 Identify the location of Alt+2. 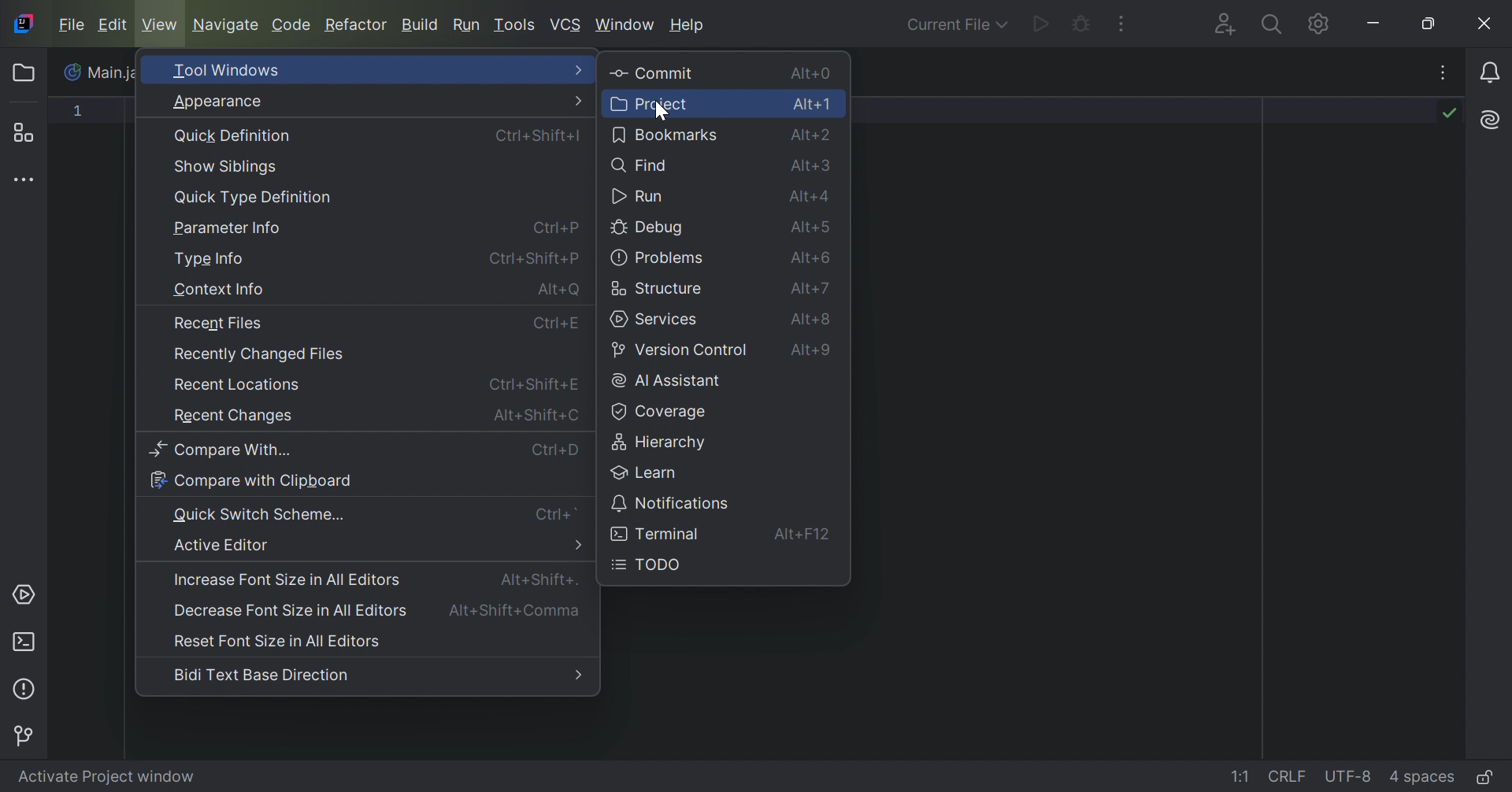
(813, 135).